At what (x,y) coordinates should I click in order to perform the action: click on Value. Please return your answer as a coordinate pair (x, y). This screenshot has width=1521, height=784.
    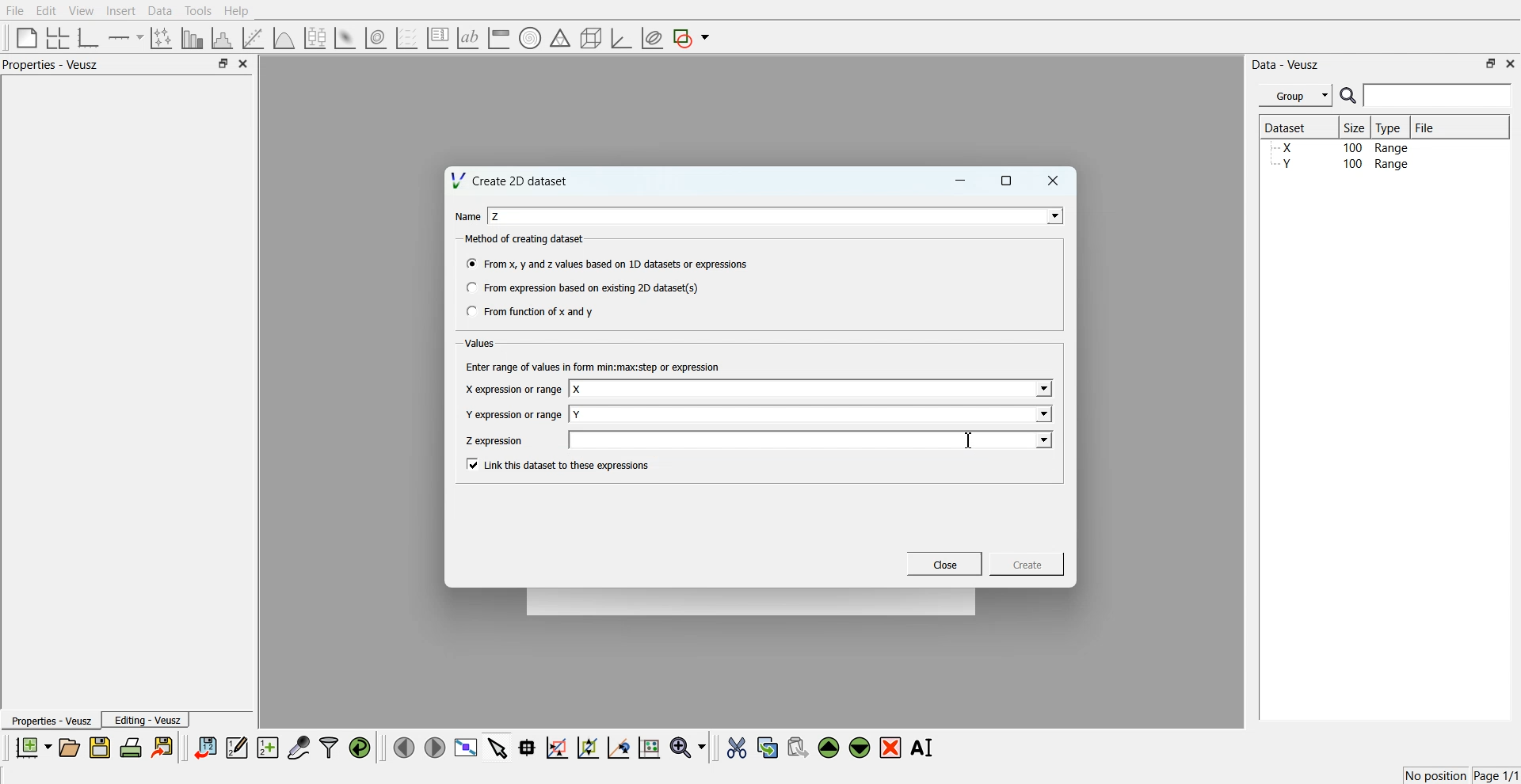
    Looking at the image, I should click on (482, 343).